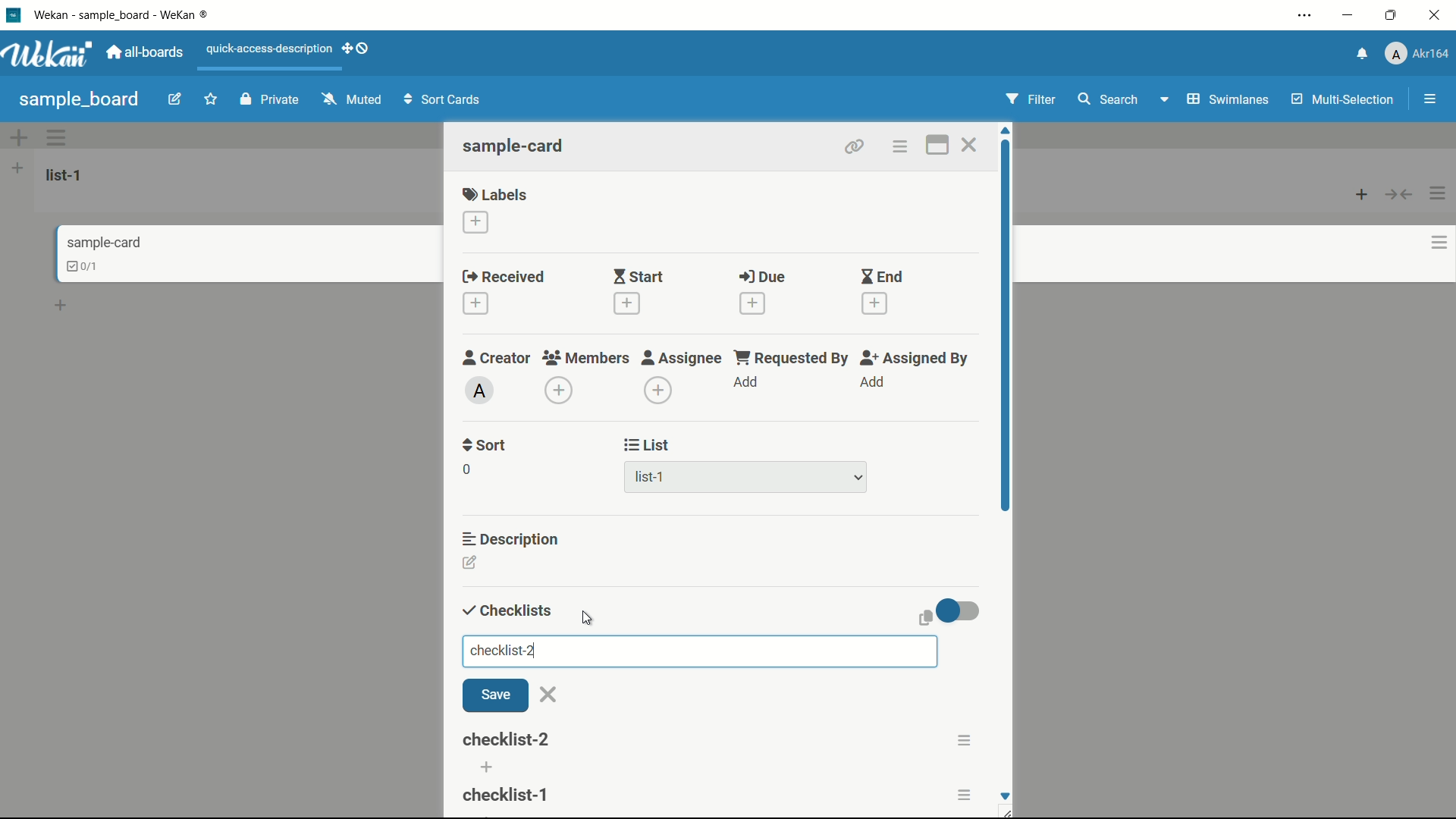 Image resolution: width=1456 pixels, height=819 pixels. What do you see at coordinates (1438, 15) in the screenshot?
I see `close app` at bounding box center [1438, 15].